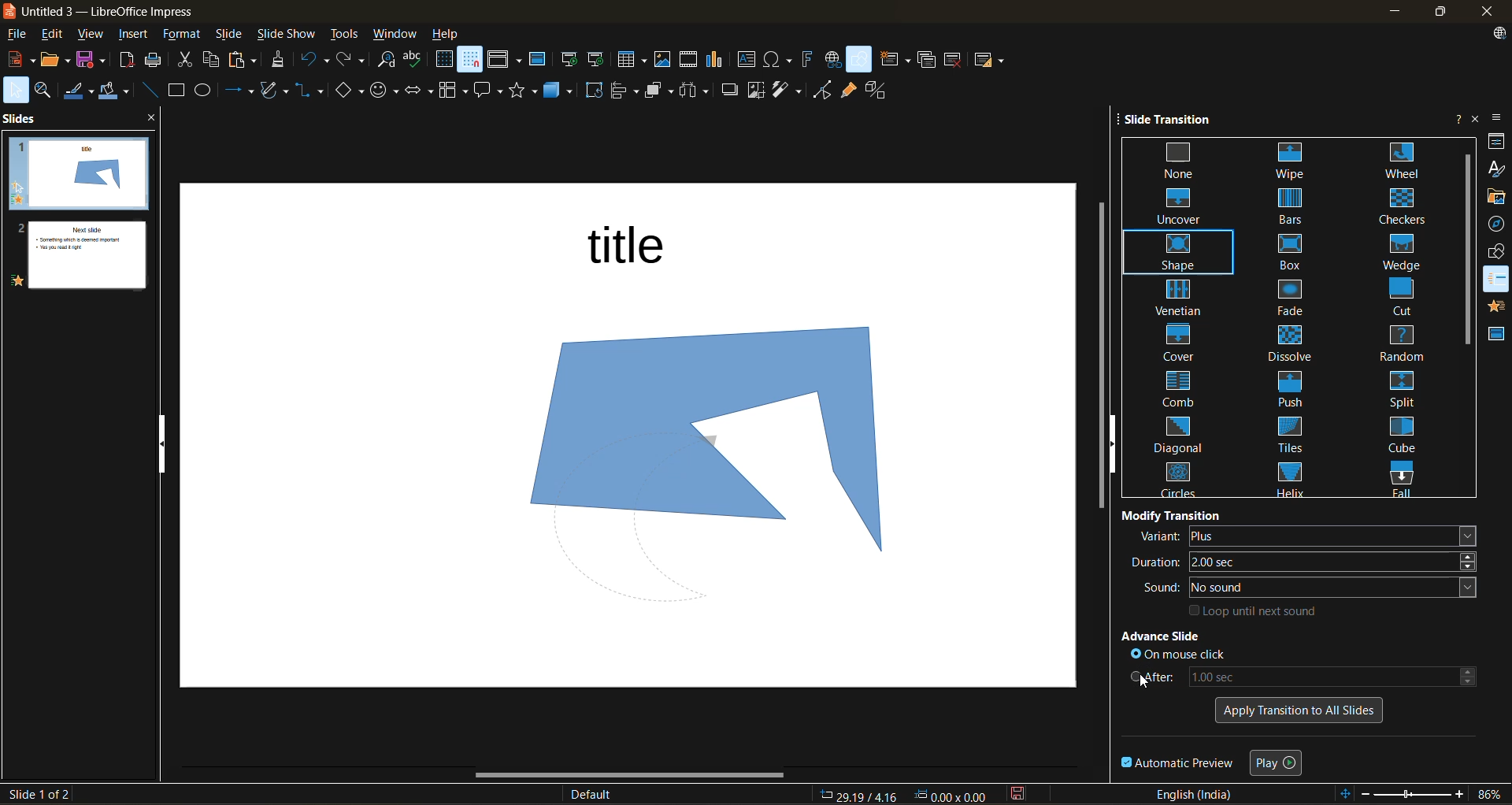  I want to click on duplicate slide, so click(926, 59).